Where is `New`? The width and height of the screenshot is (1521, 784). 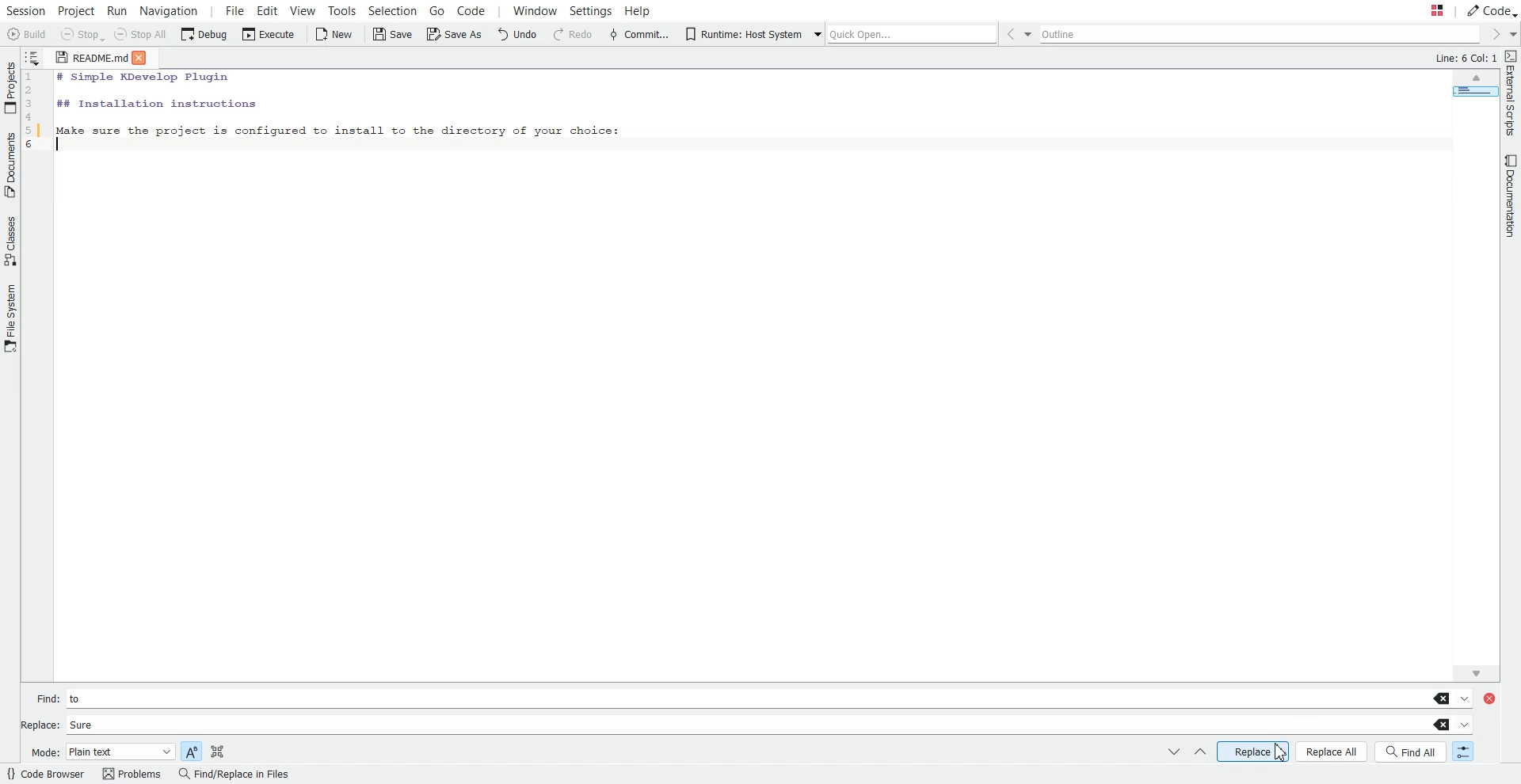 New is located at coordinates (335, 34).